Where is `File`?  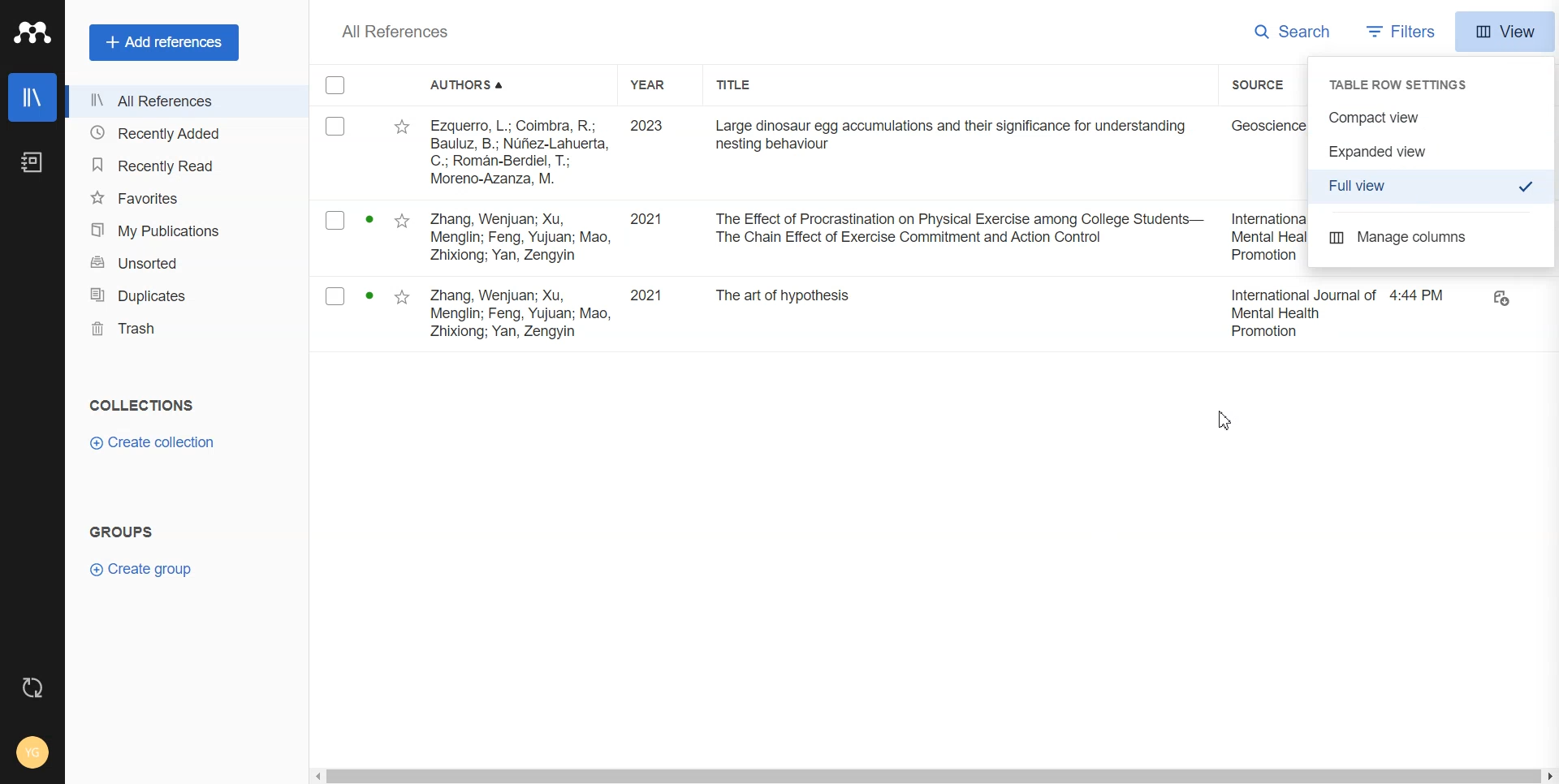
File is located at coordinates (937, 314).